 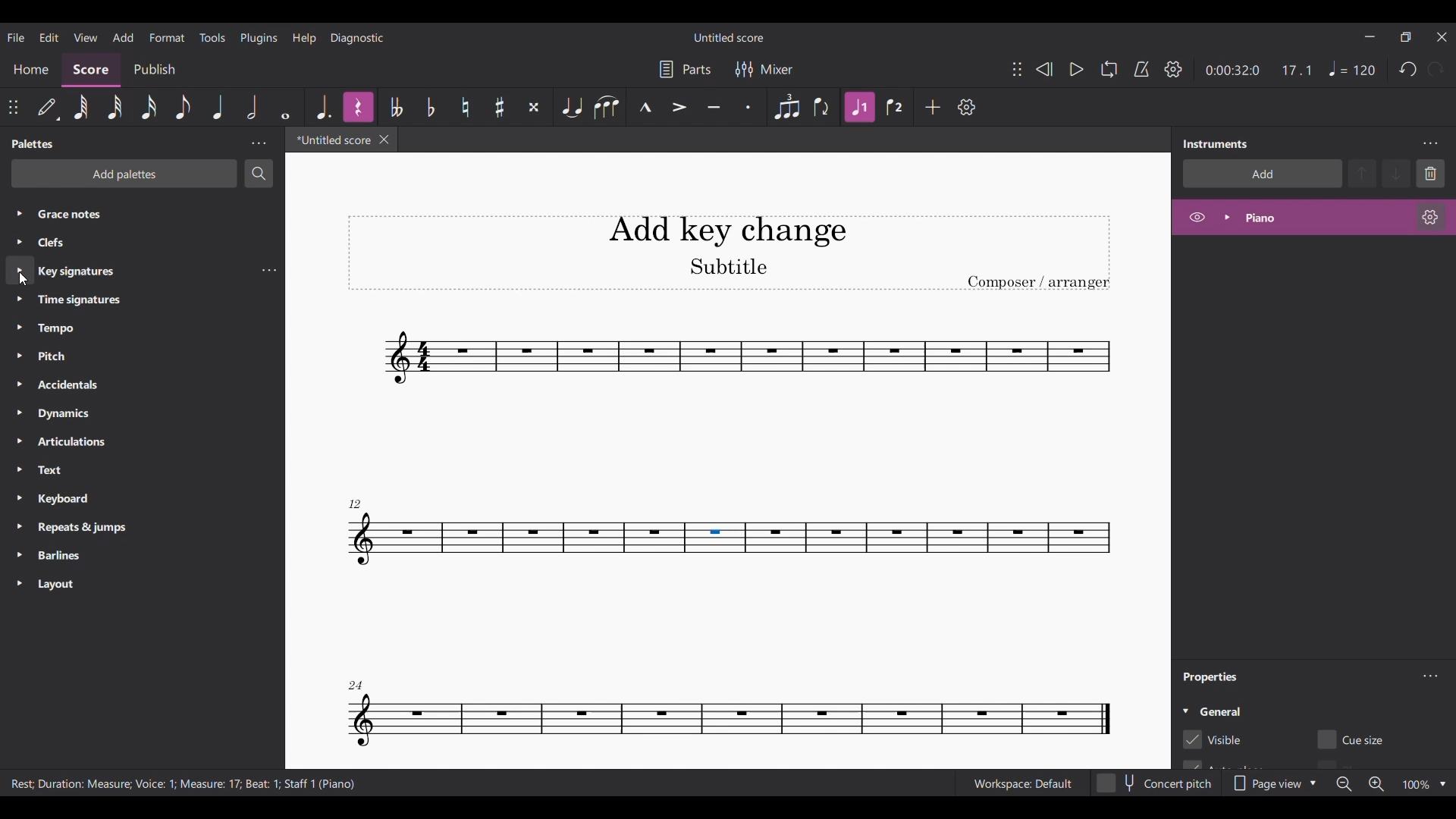 I want to click on Score name, so click(x=730, y=36).